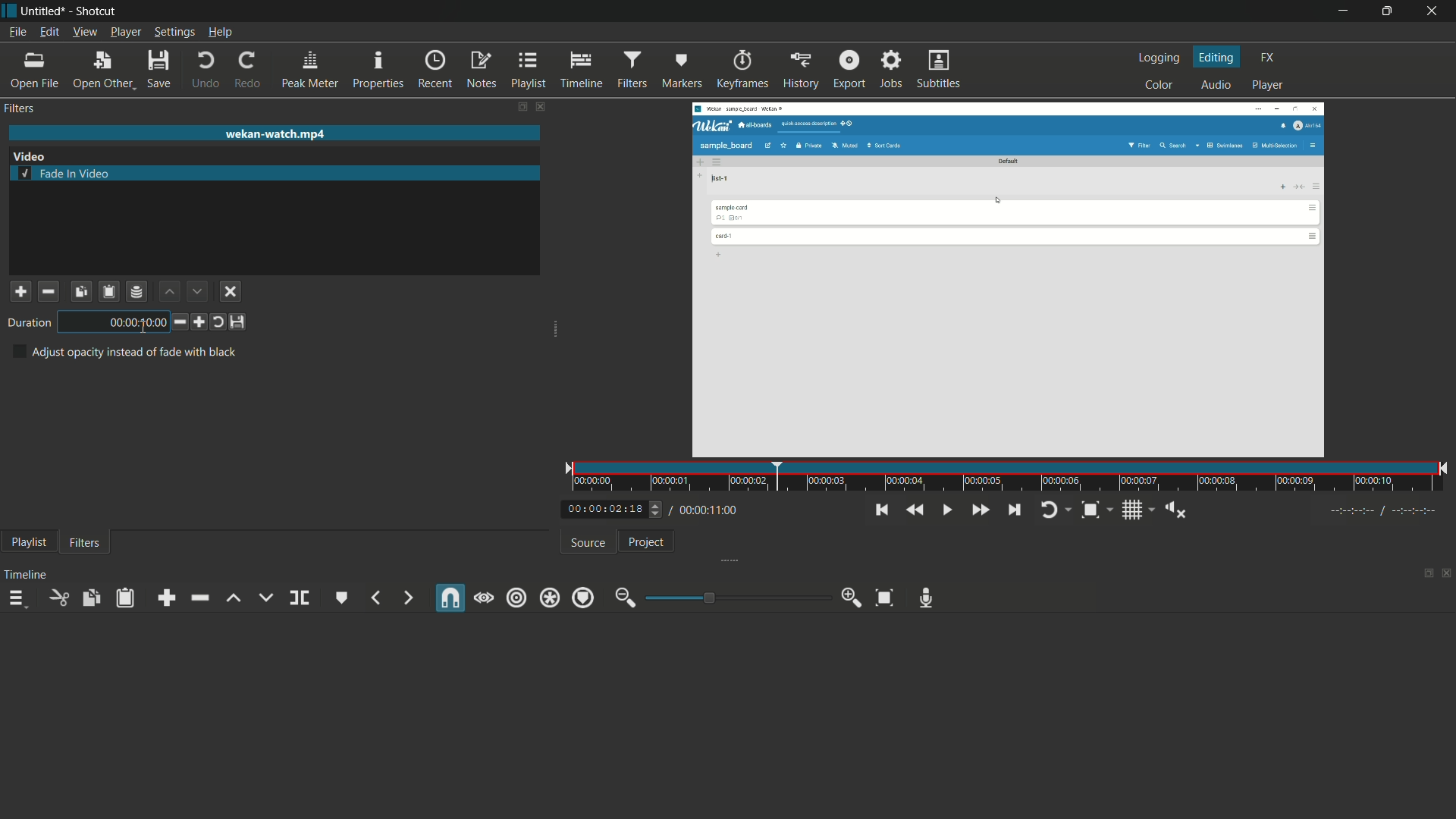 The width and height of the screenshot is (1456, 819). Describe the element at coordinates (1162, 58) in the screenshot. I see `logging` at that location.